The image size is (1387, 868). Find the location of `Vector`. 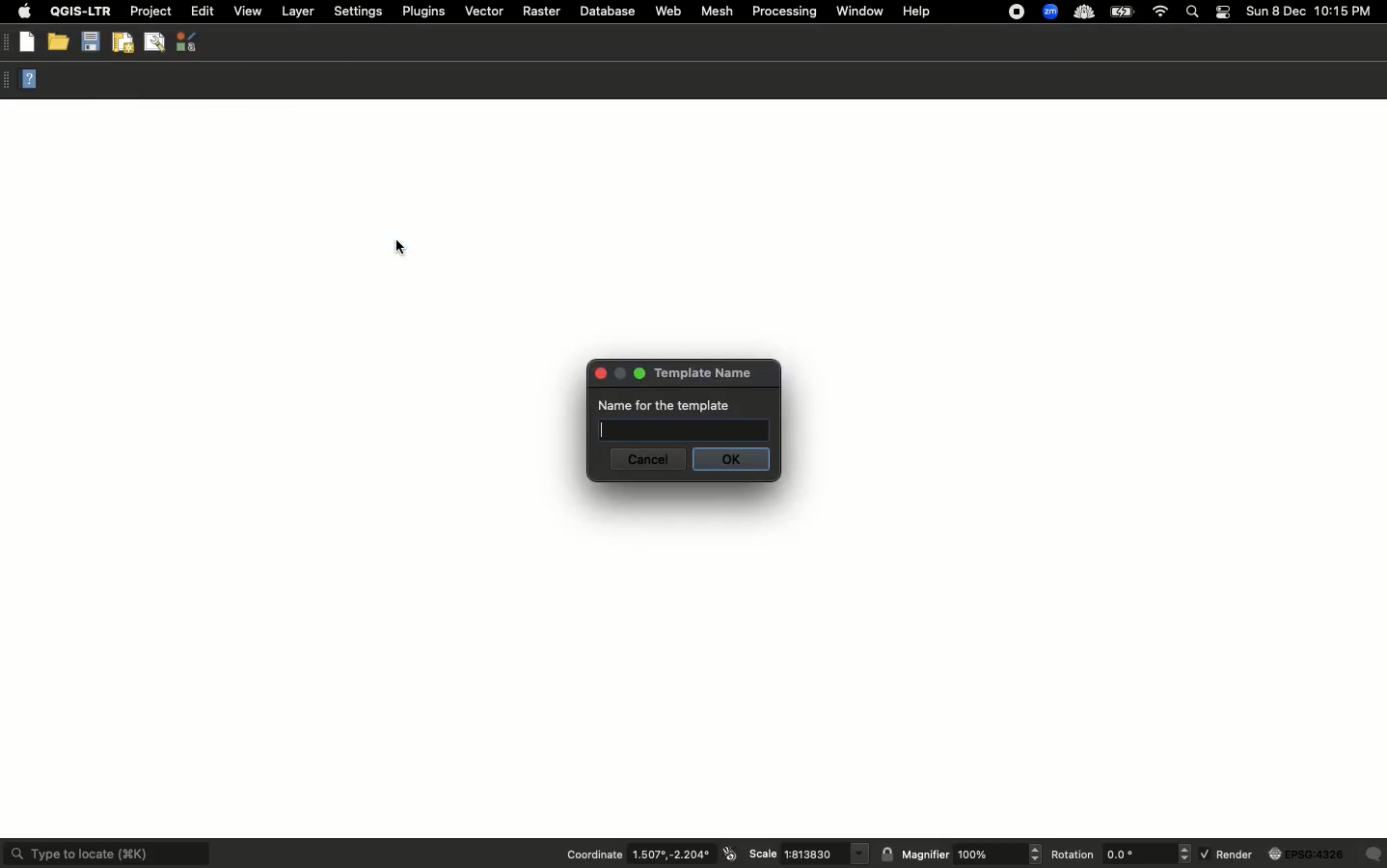

Vector is located at coordinates (482, 13).